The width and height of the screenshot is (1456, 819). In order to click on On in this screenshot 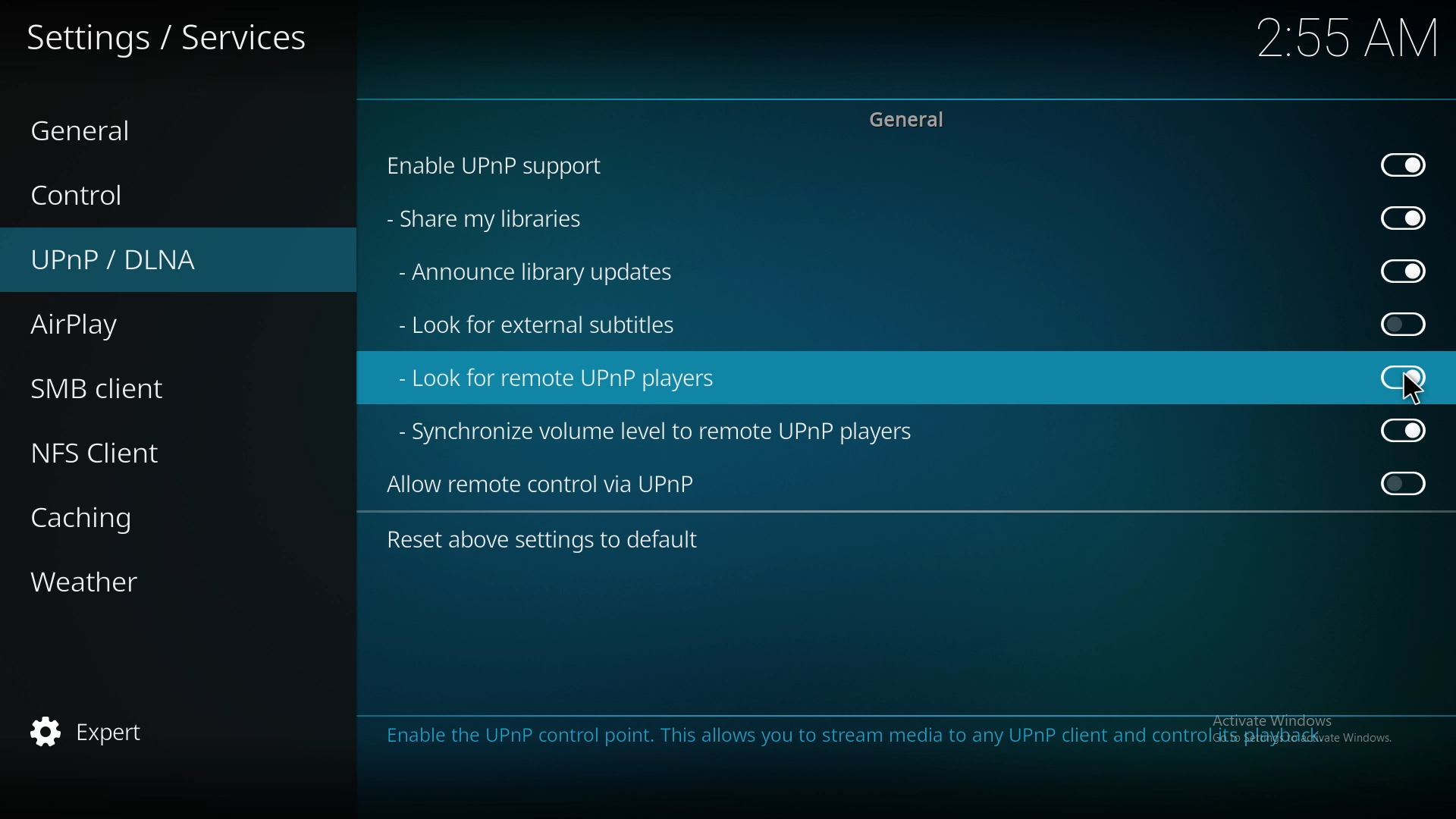, I will do `click(1407, 166)`.